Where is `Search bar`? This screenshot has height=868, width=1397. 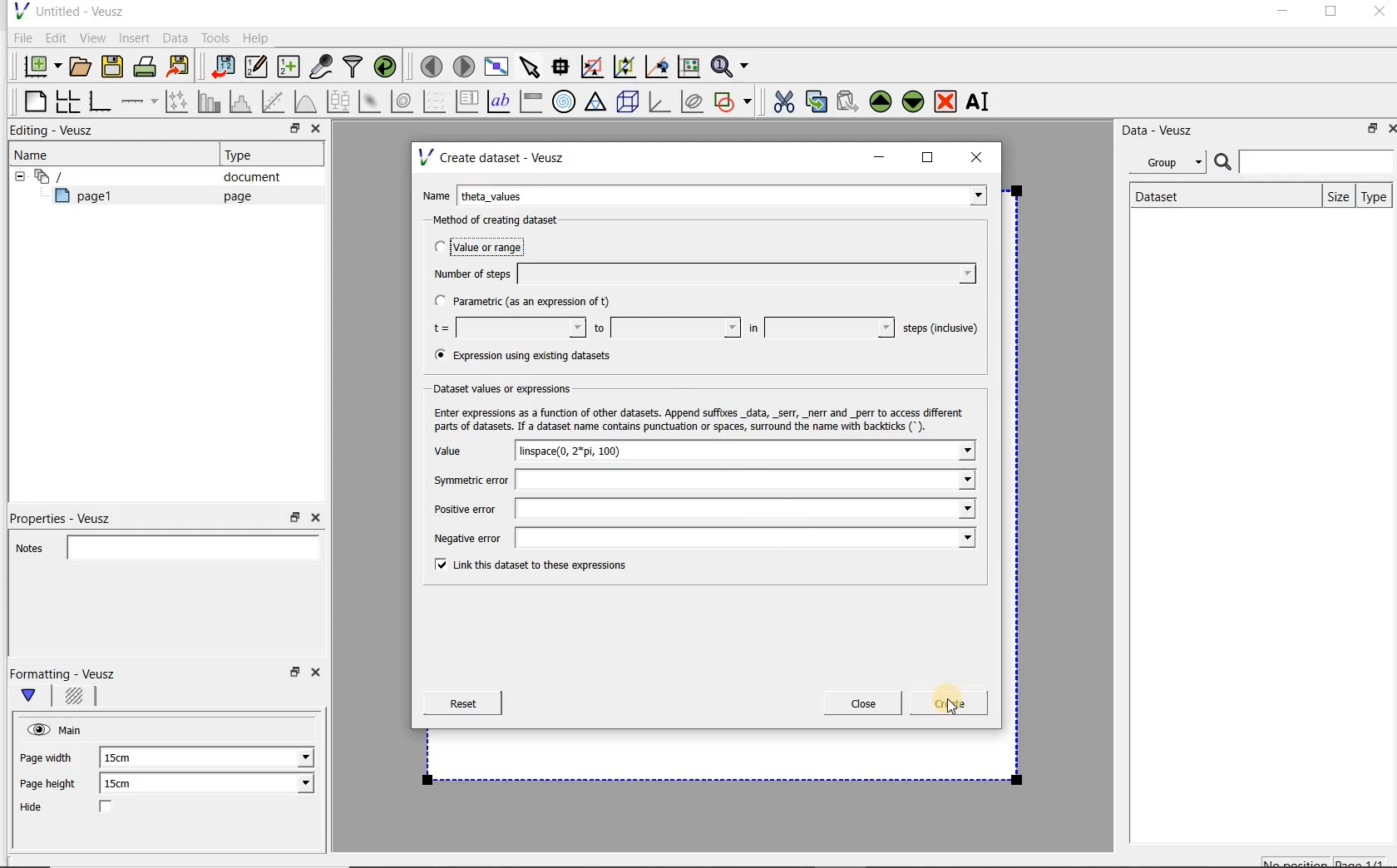 Search bar is located at coordinates (1305, 160).